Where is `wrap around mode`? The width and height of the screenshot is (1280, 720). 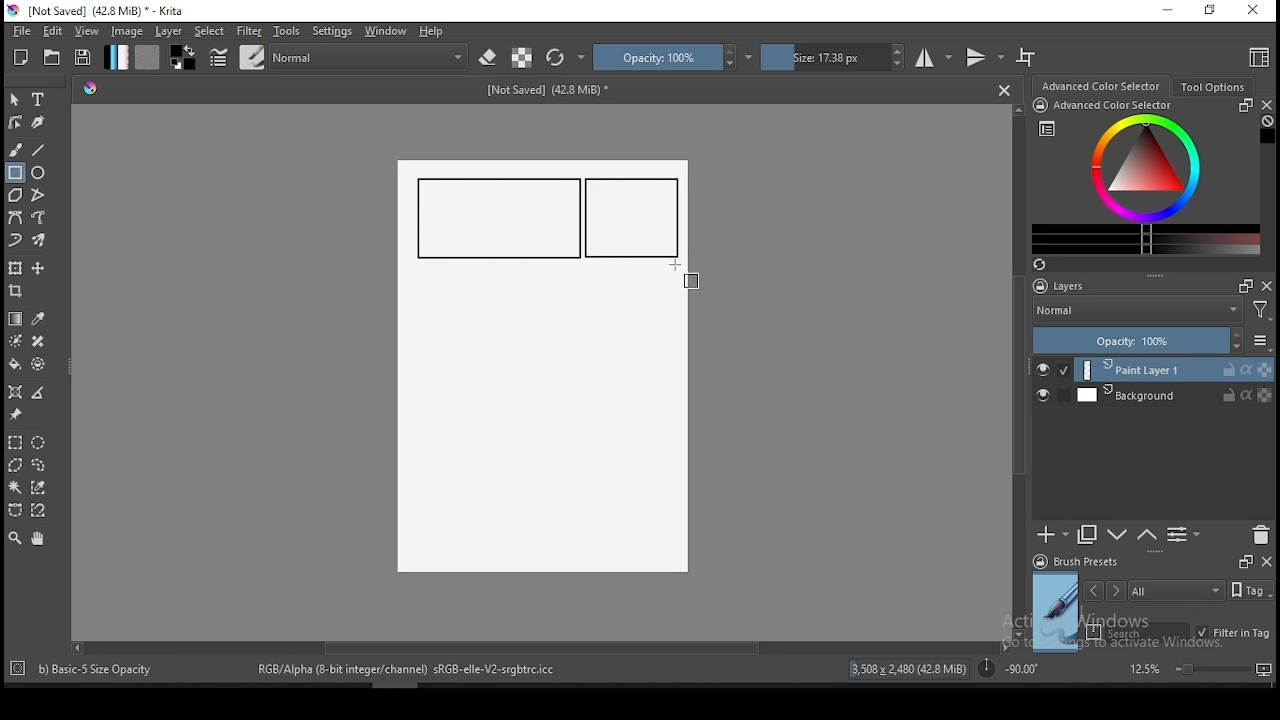
wrap around mode is located at coordinates (1027, 57).